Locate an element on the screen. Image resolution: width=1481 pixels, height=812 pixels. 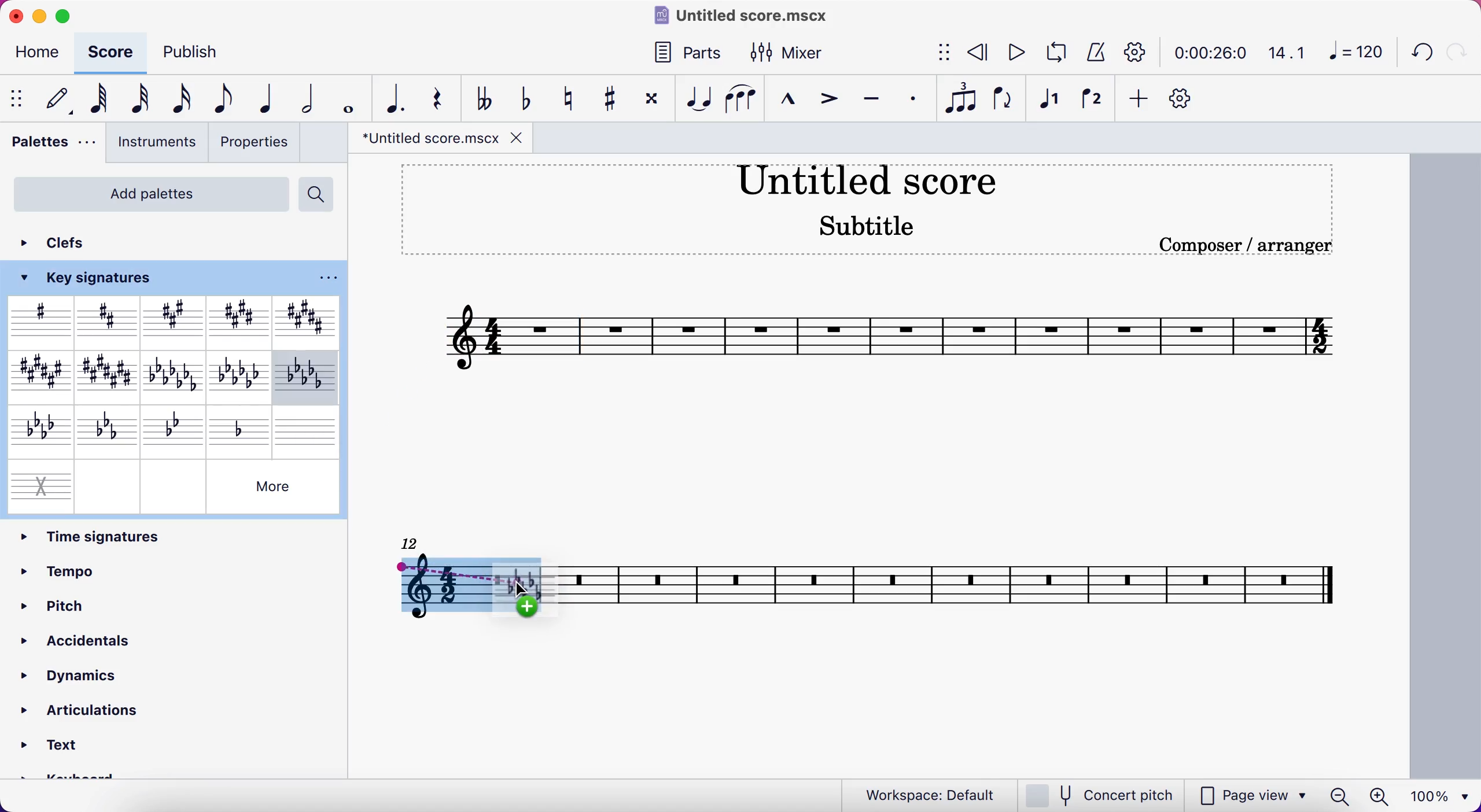
G minor is located at coordinates (176, 428).